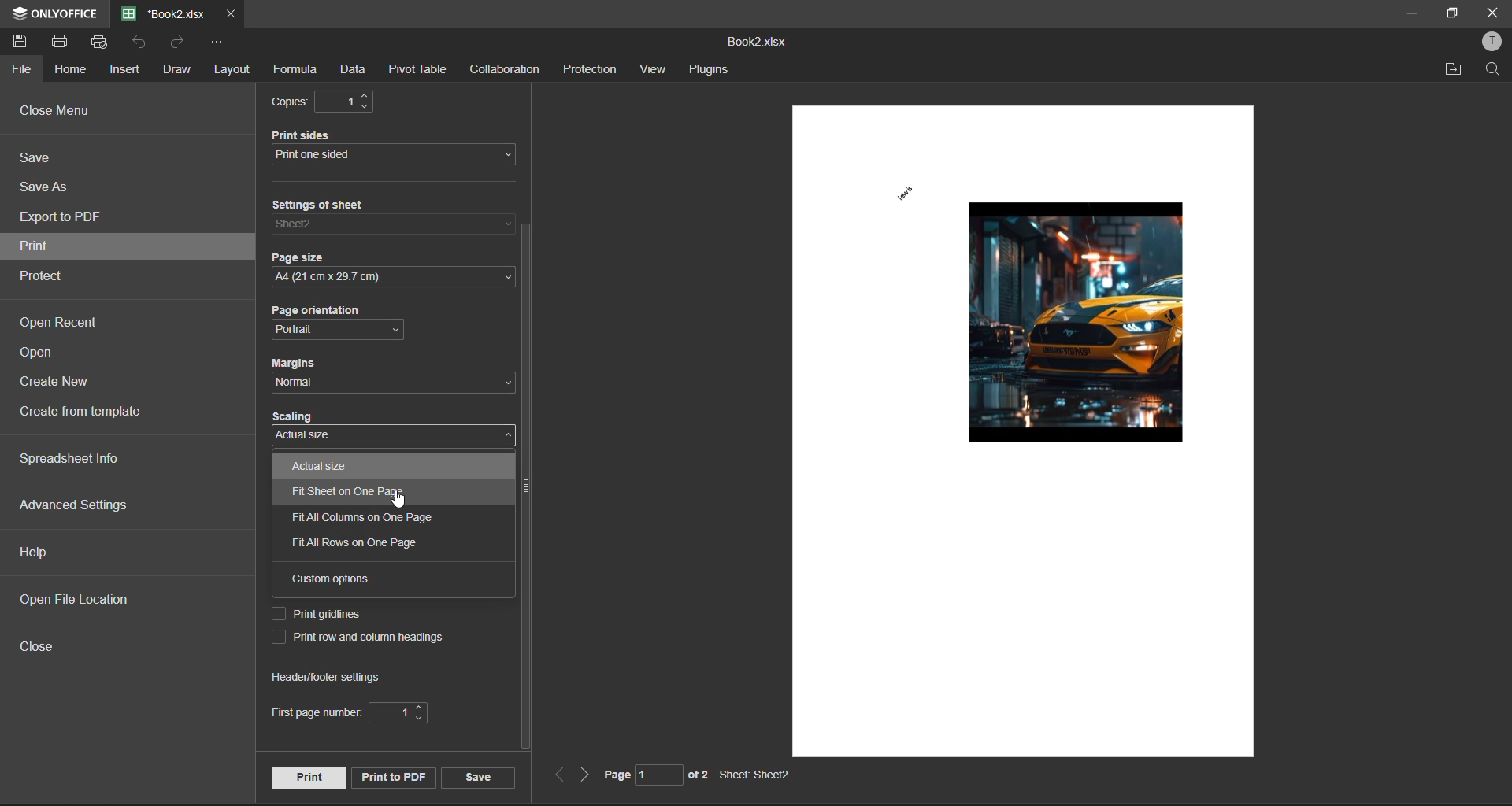  What do you see at coordinates (291, 102) in the screenshot?
I see `copies` at bounding box center [291, 102].